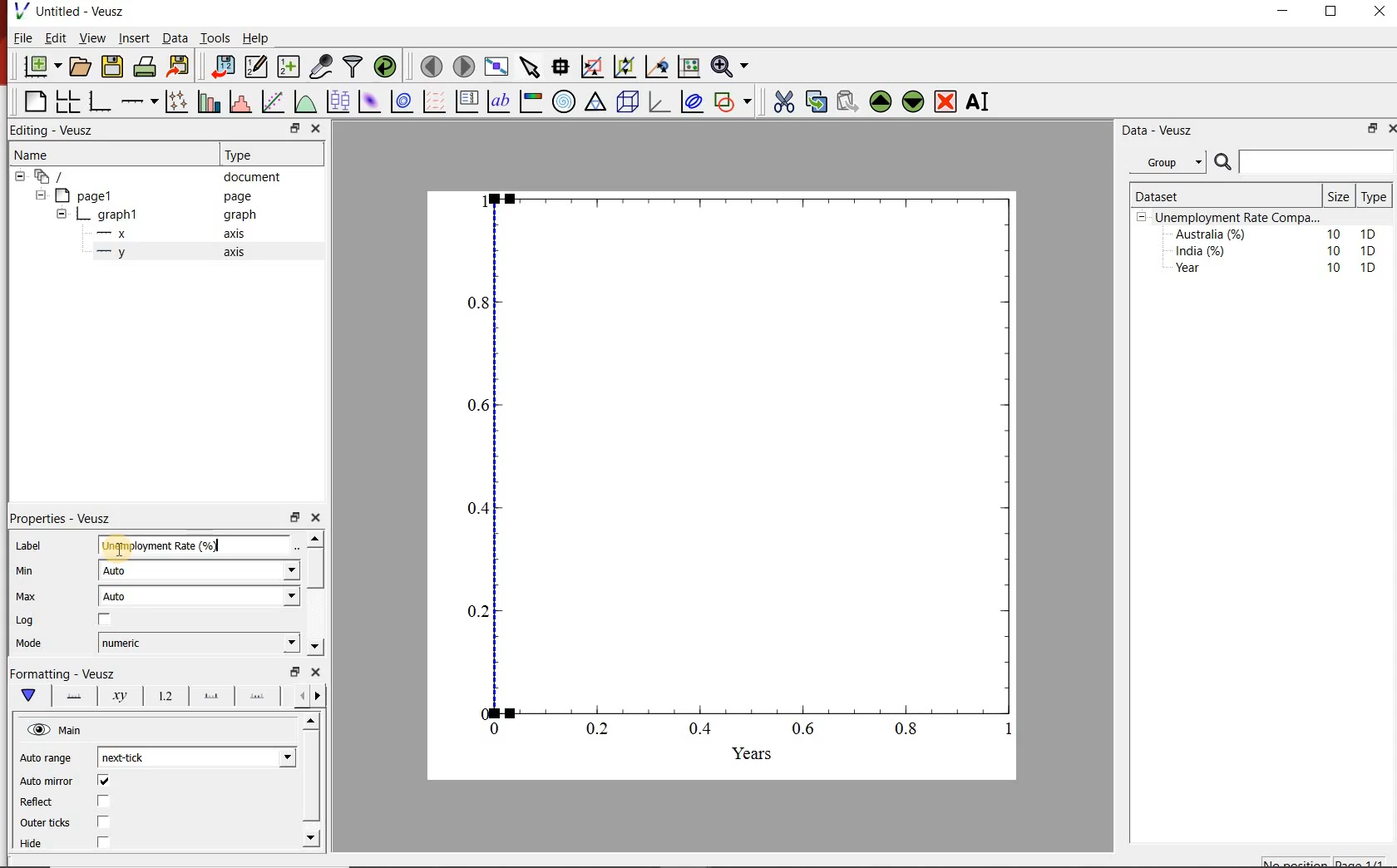 This screenshot has height=868, width=1397. What do you see at coordinates (176, 101) in the screenshot?
I see `plot points with lines and errorbars` at bounding box center [176, 101].